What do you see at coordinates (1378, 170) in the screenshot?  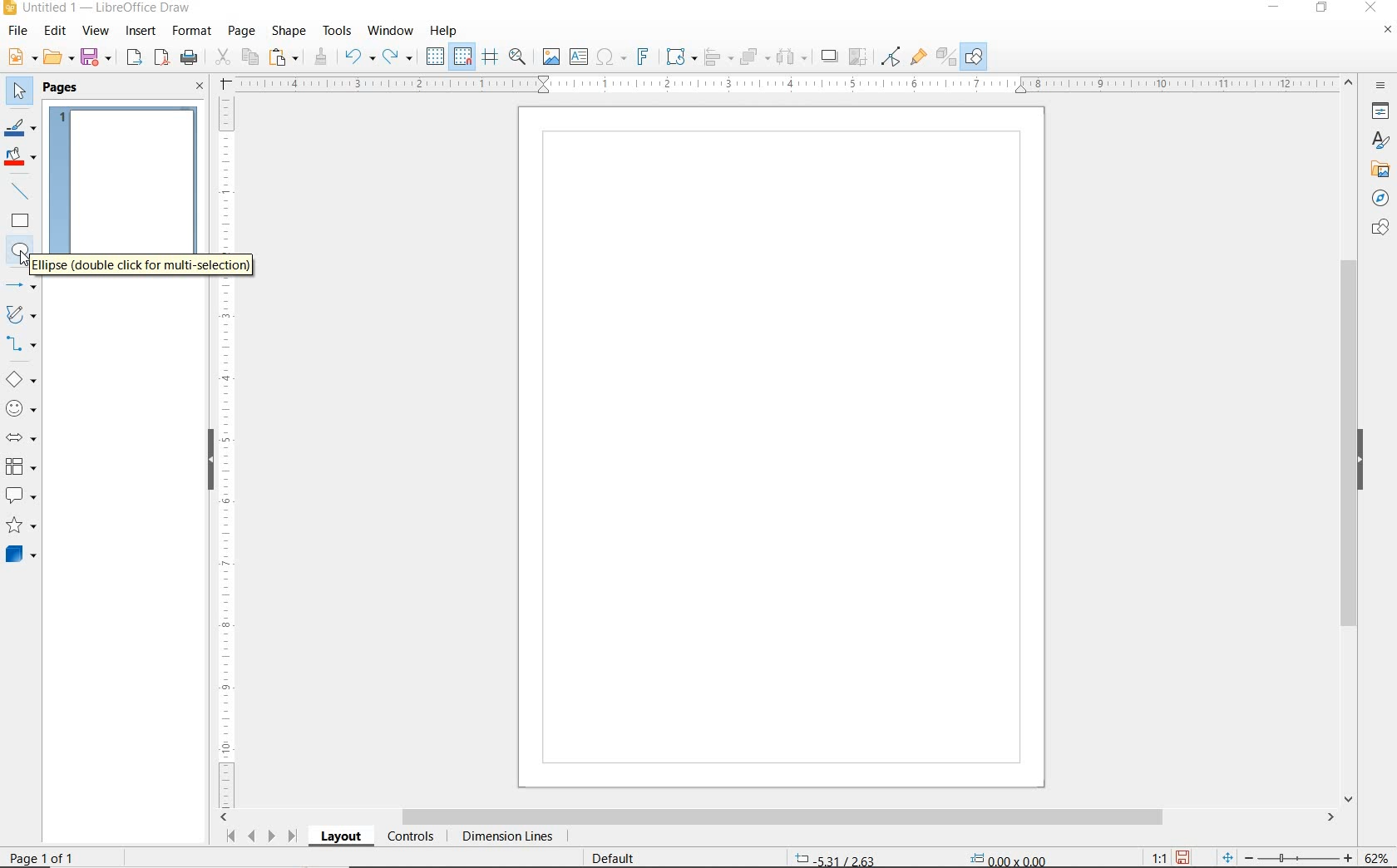 I see `GALLERY` at bounding box center [1378, 170].